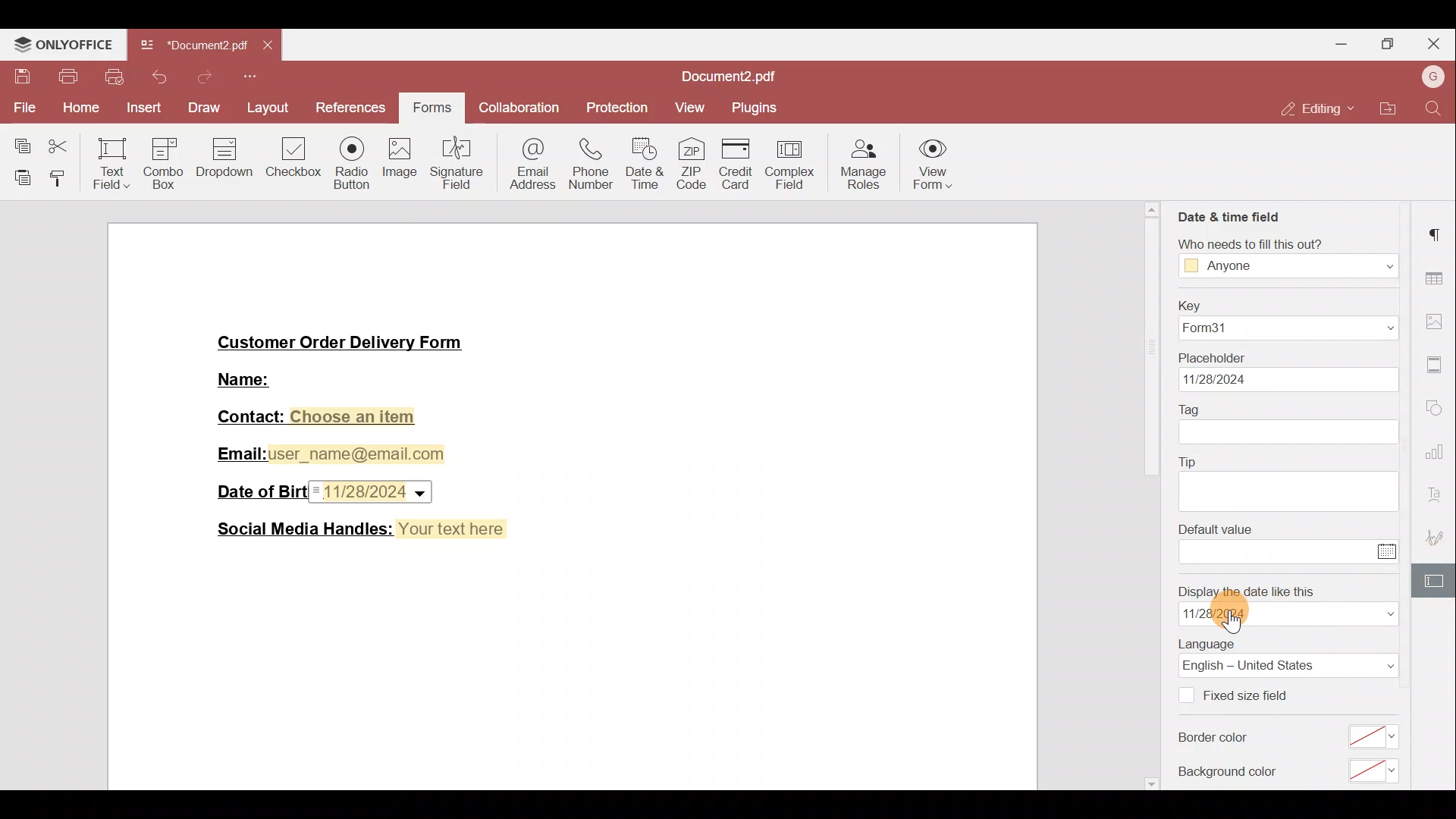  Describe the element at coordinates (742, 165) in the screenshot. I see `Credit card` at that location.